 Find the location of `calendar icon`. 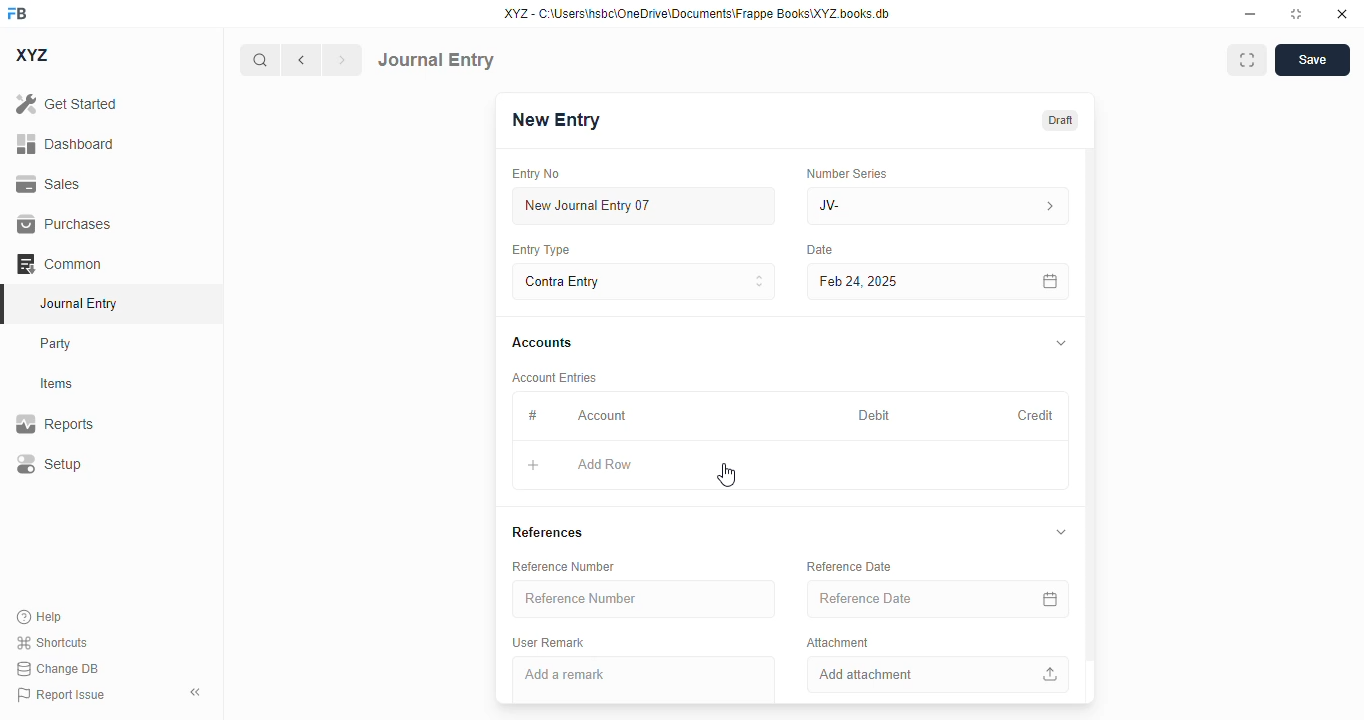

calendar icon is located at coordinates (1051, 281).